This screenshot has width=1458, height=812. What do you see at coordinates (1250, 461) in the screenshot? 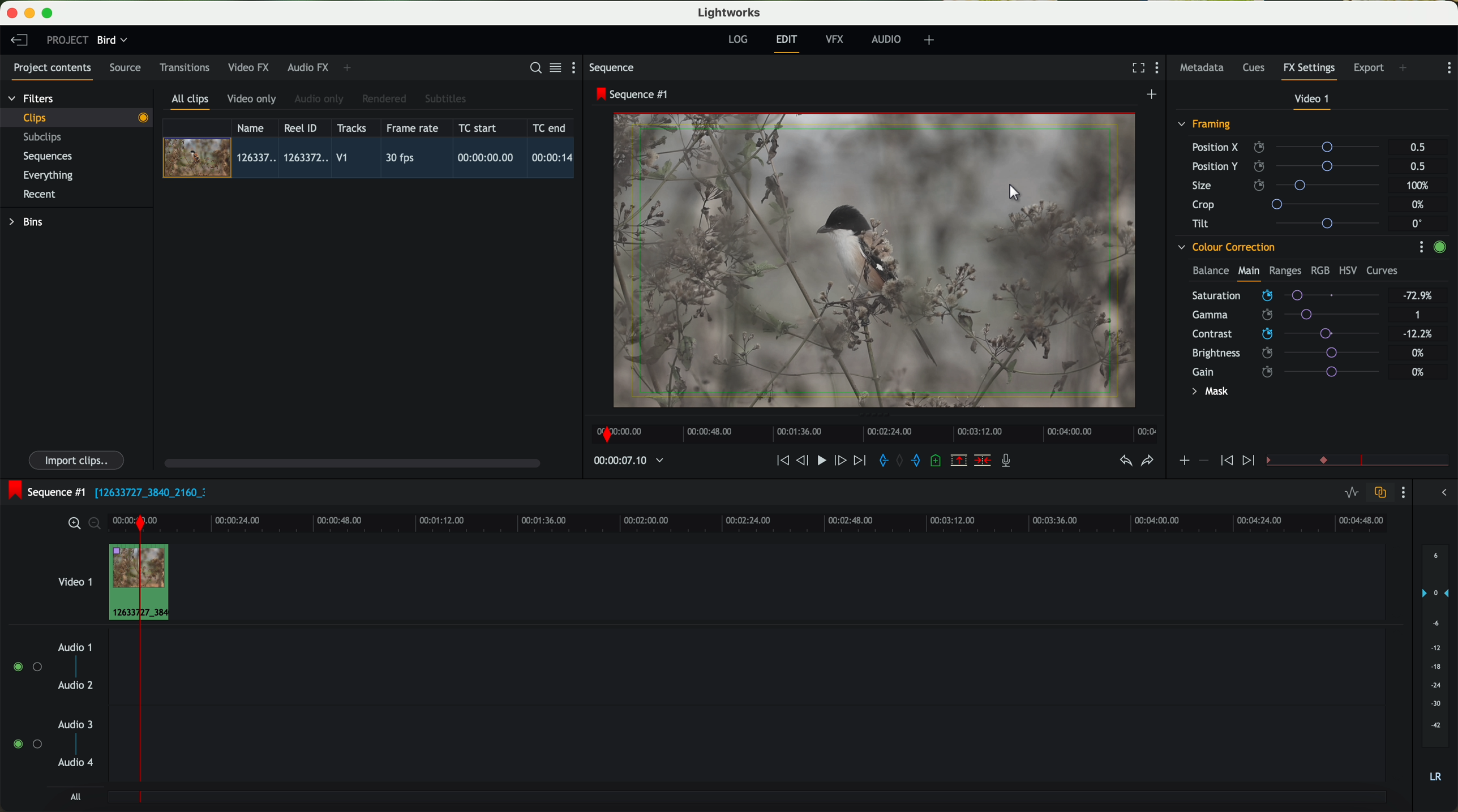
I see `icon` at bounding box center [1250, 461].